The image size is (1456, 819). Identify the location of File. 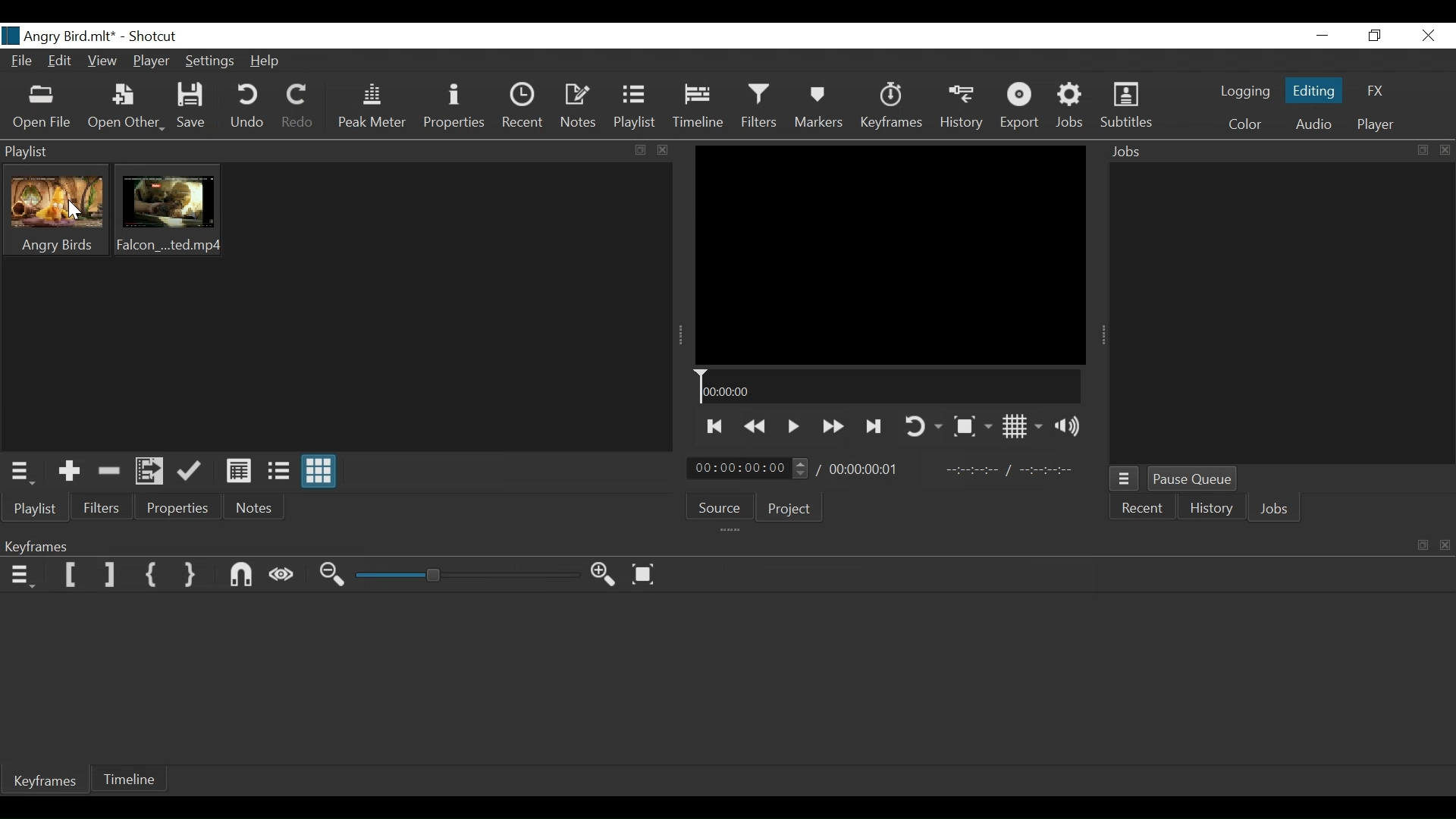
(21, 60).